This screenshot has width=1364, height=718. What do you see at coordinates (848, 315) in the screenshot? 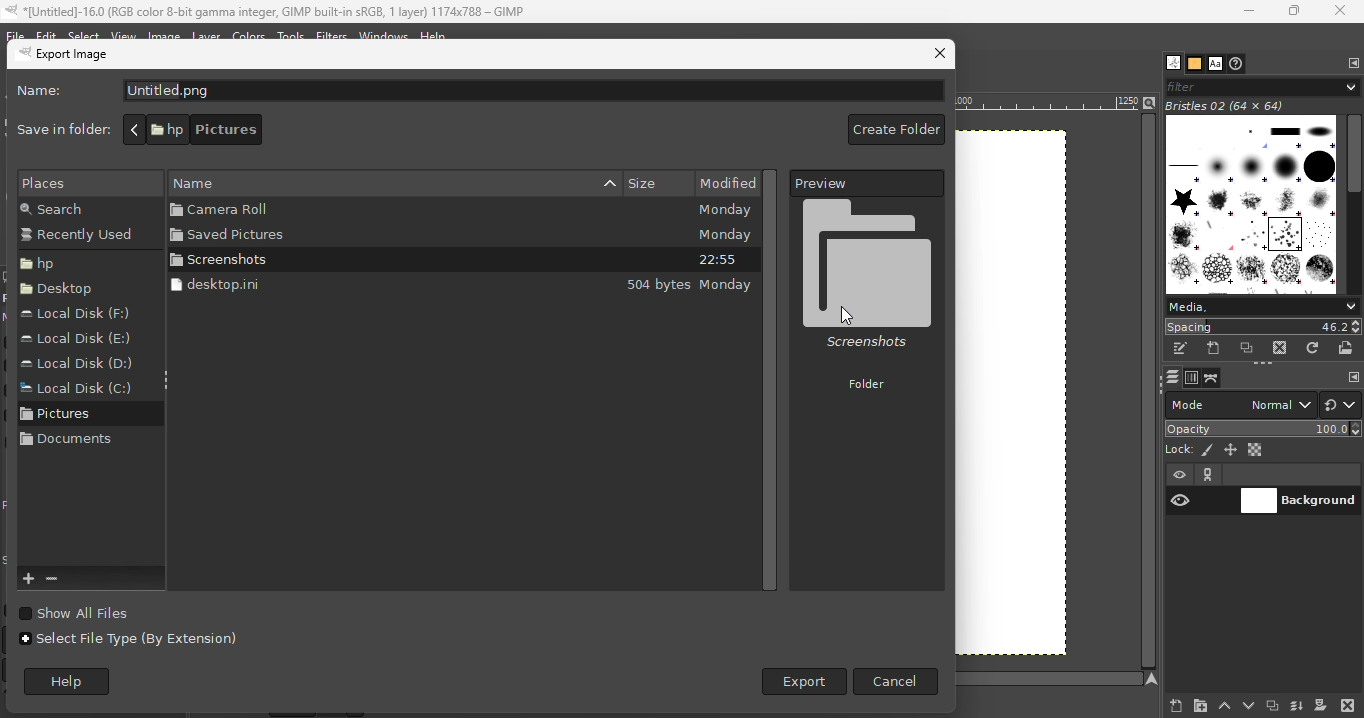
I see `Cursor` at bounding box center [848, 315].